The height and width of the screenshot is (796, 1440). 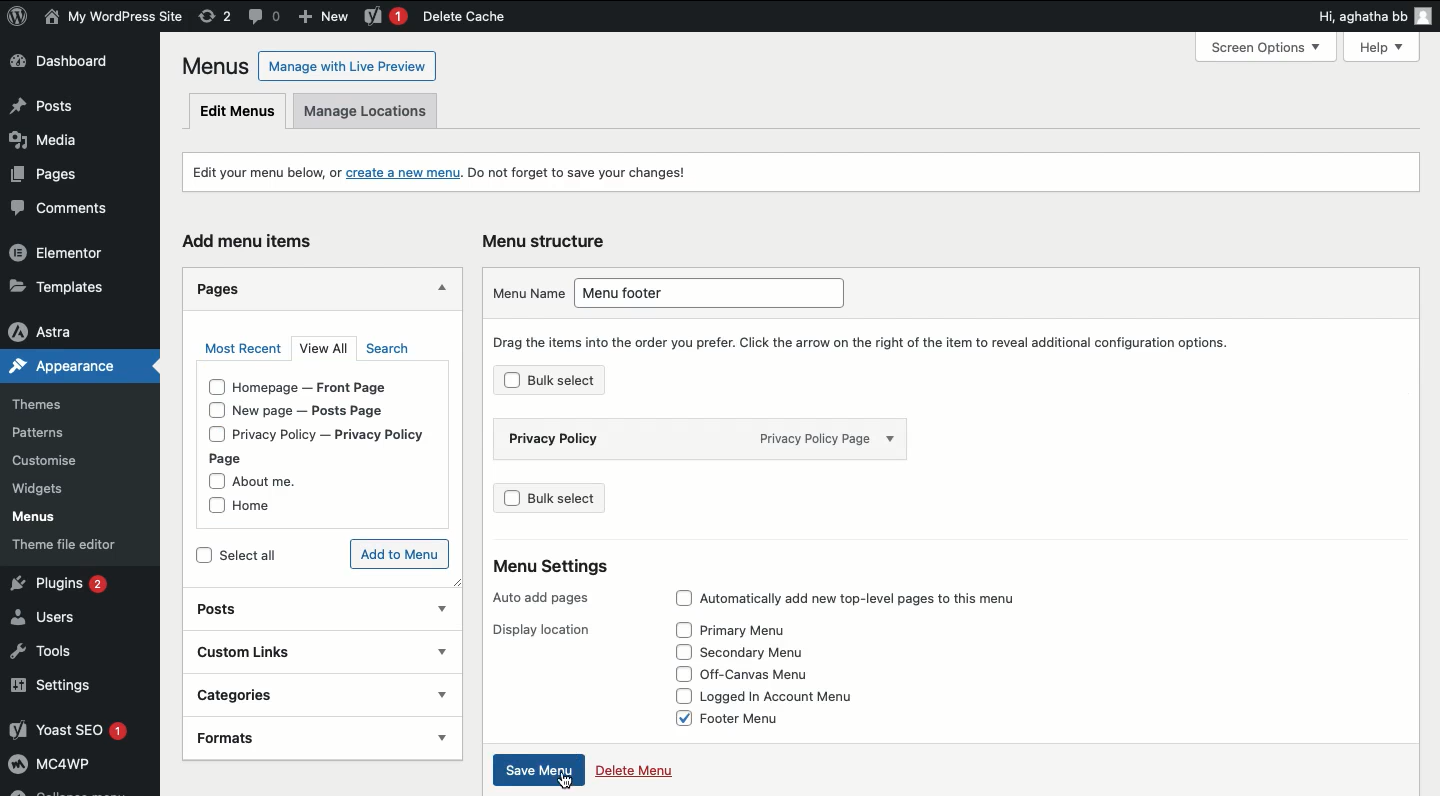 What do you see at coordinates (272, 555) in the screenshot?
I see `Select all` at bounding box center [272, 555].